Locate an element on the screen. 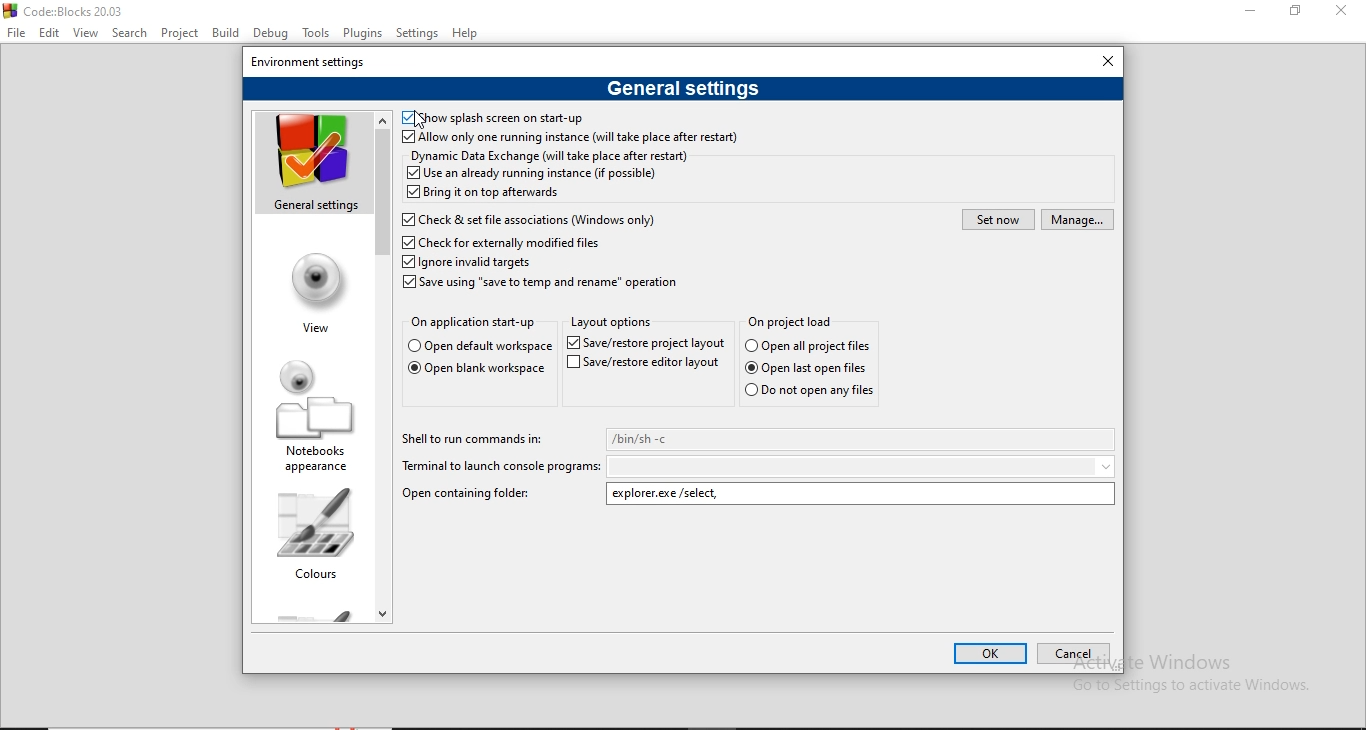 The height and width of the screenshot is (730, 1366). manage is located at coordinates (1076, 219).